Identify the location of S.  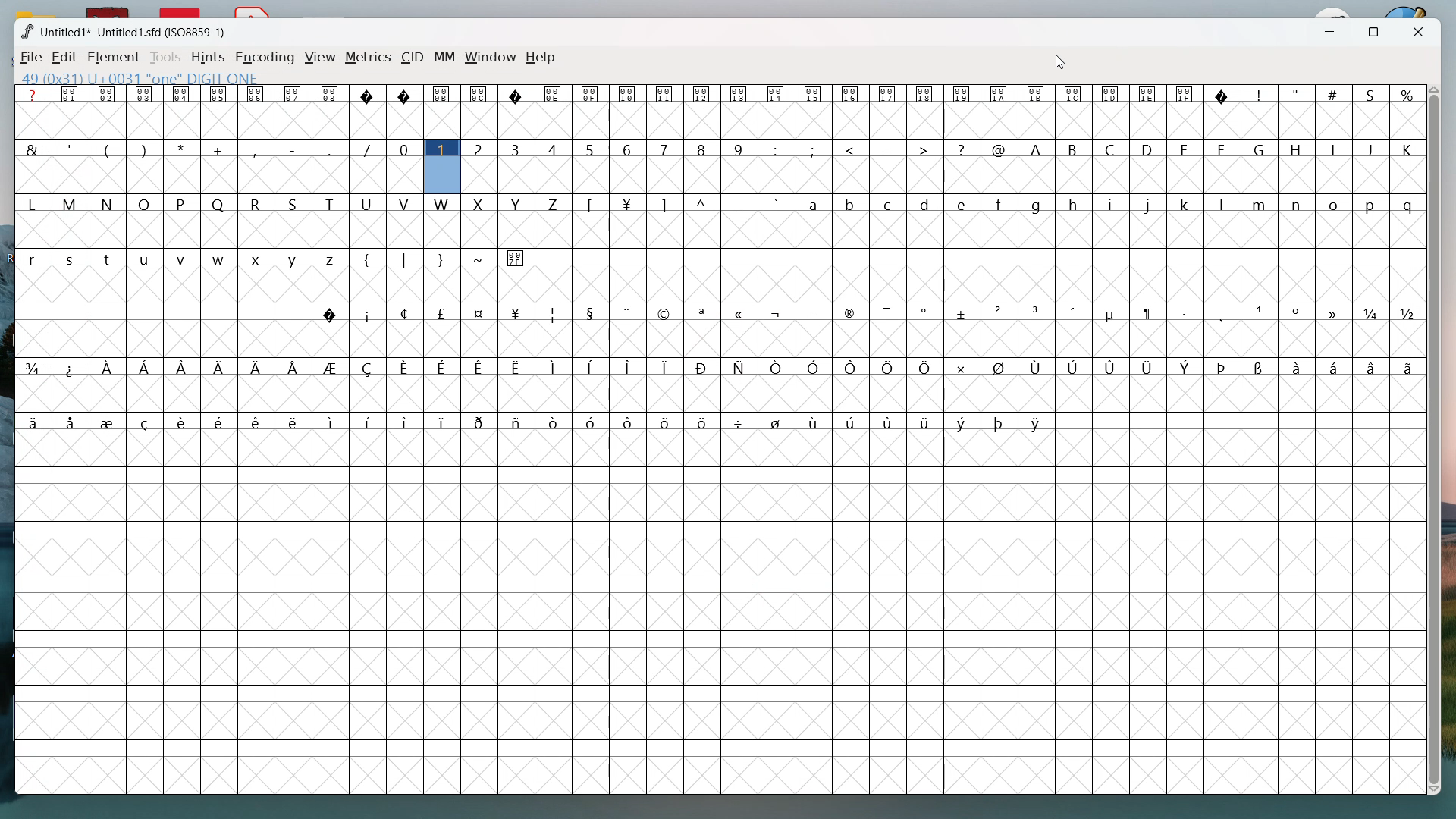
(294, 202).